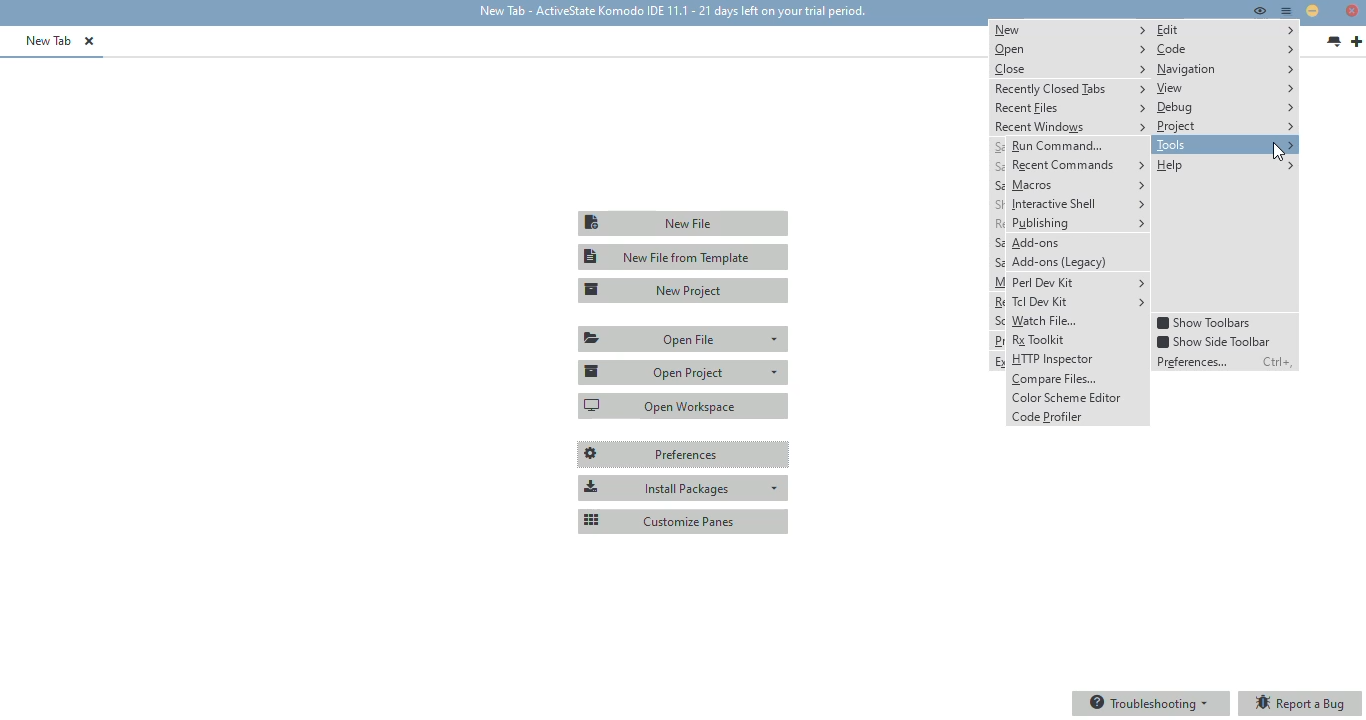 Image resolution: width=1366 pixels, height=720 pixels. What do you see at coordinates (1225, 126) in the screenshot?
I see `project` at bounding box center [1225, 126].